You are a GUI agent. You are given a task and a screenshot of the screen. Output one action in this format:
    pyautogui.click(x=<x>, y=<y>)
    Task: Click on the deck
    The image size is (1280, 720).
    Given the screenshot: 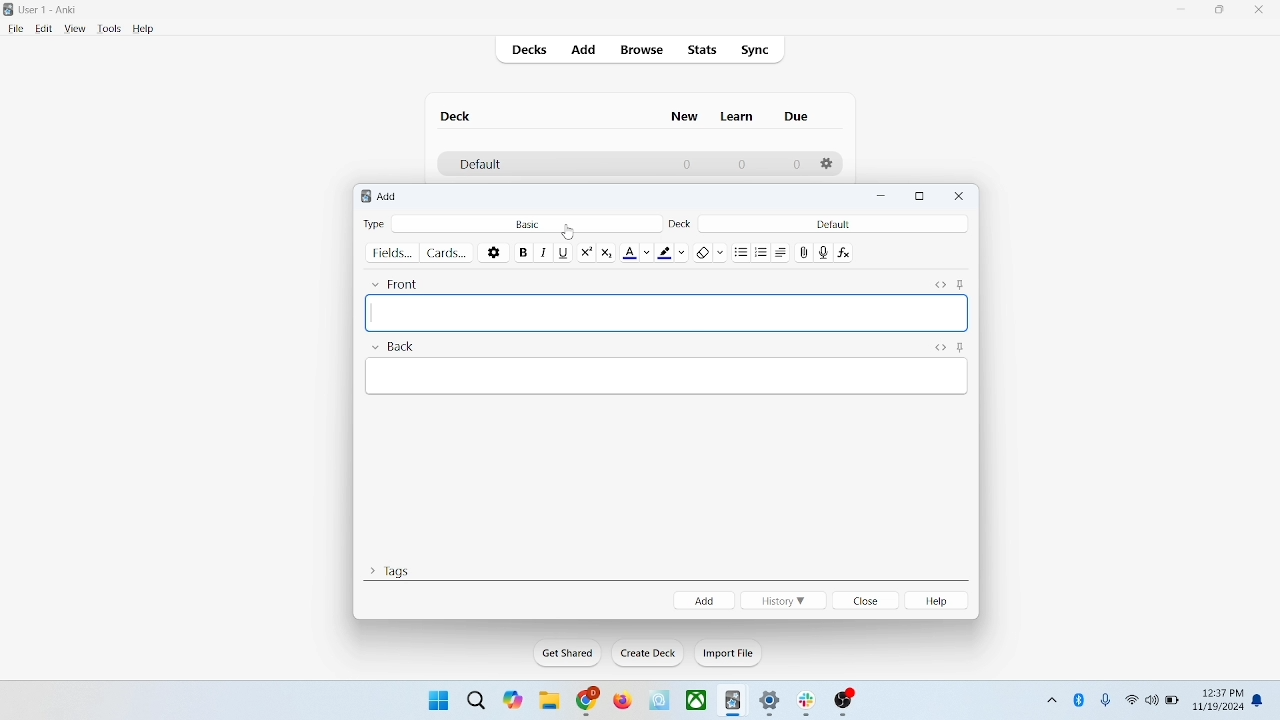 What is the action you would take?
    pyautogui.click(x=680, y=223)
    